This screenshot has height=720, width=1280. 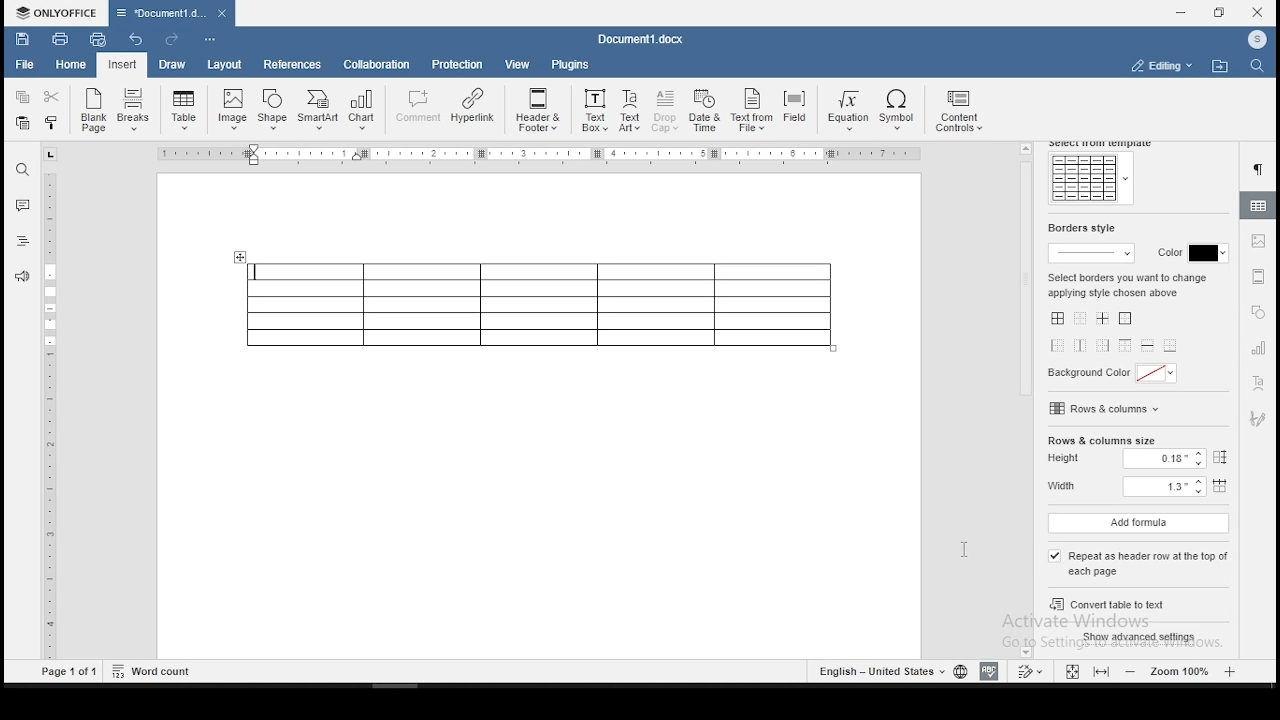 I want to click on TextArt, so click(x=629, y=112).